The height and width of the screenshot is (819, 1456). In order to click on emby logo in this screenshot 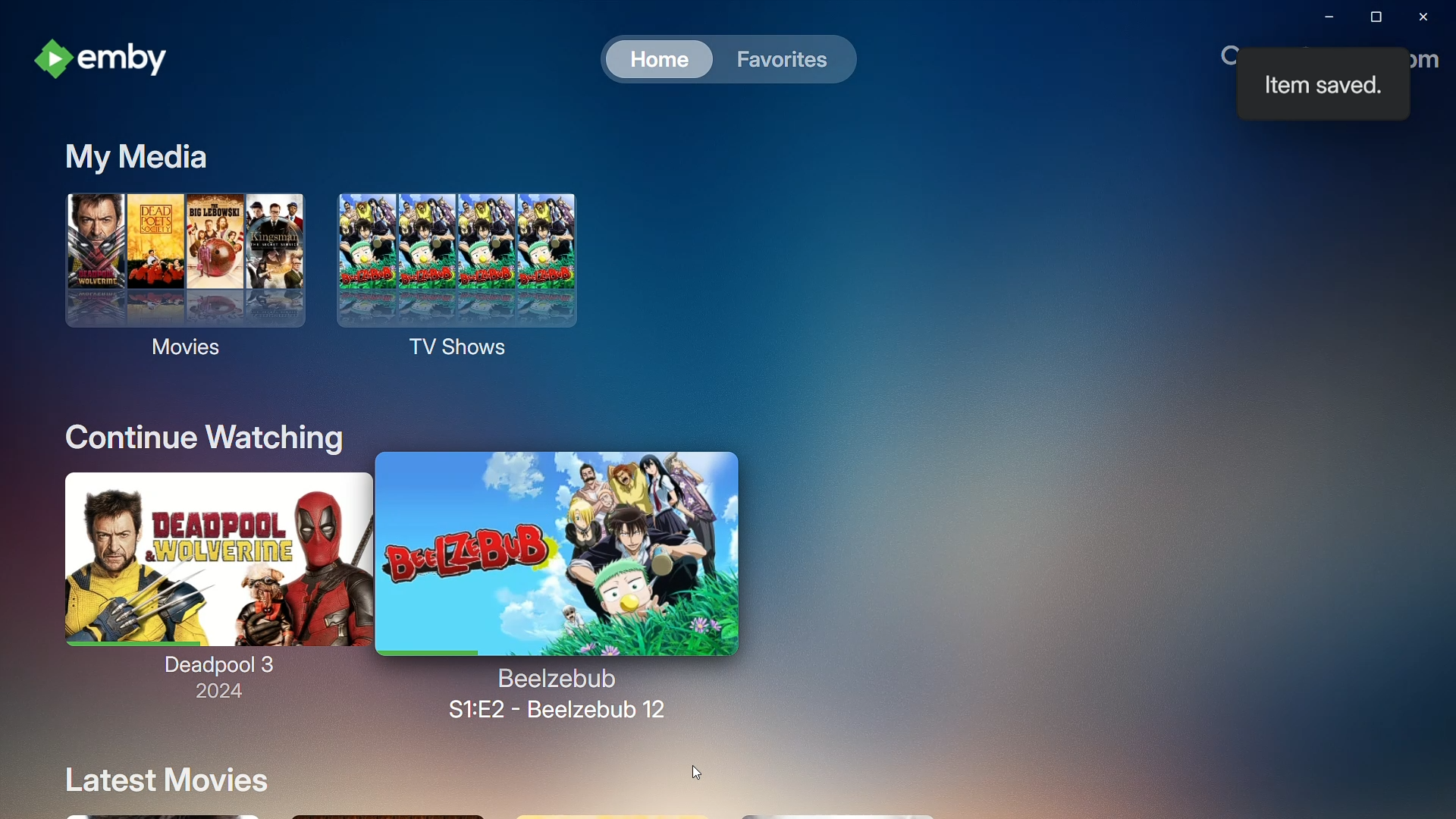, I will do `click(52, 61)`.